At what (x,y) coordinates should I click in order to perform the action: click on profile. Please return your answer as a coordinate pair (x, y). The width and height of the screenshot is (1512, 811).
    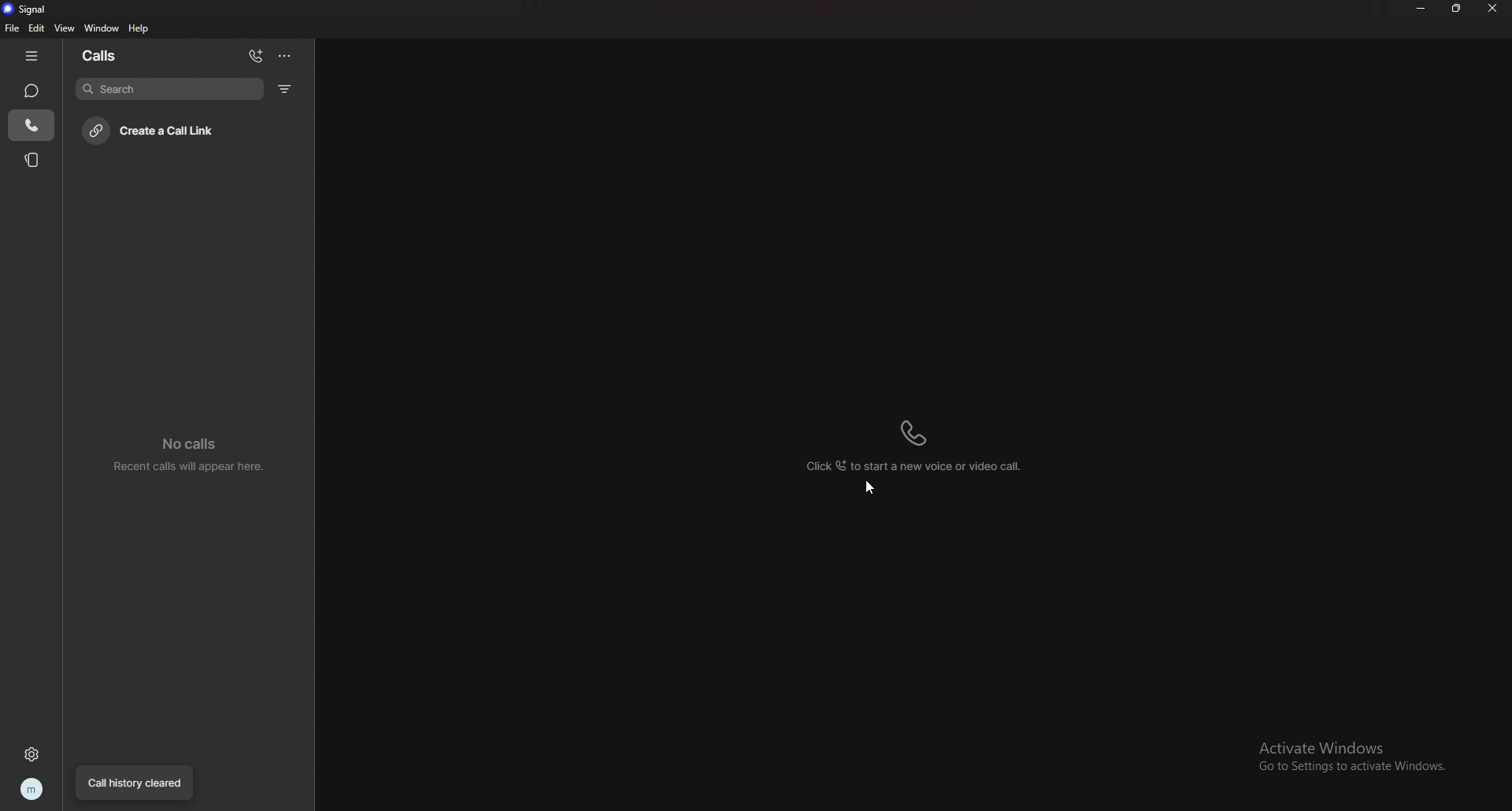
    Looking at the image, I should click on (31, 788).